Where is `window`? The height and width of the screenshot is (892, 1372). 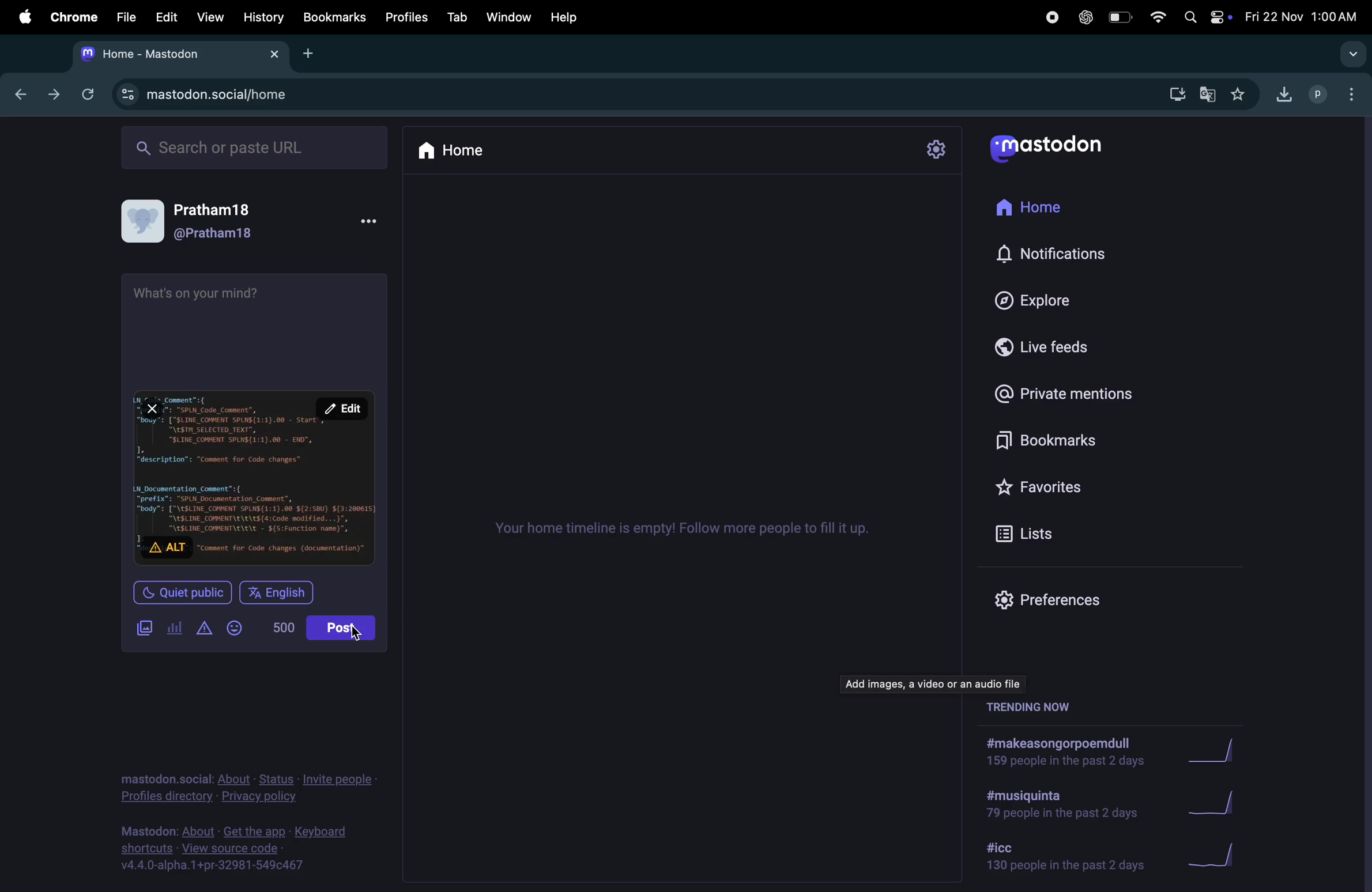 window is located at coordinates (509, 18).